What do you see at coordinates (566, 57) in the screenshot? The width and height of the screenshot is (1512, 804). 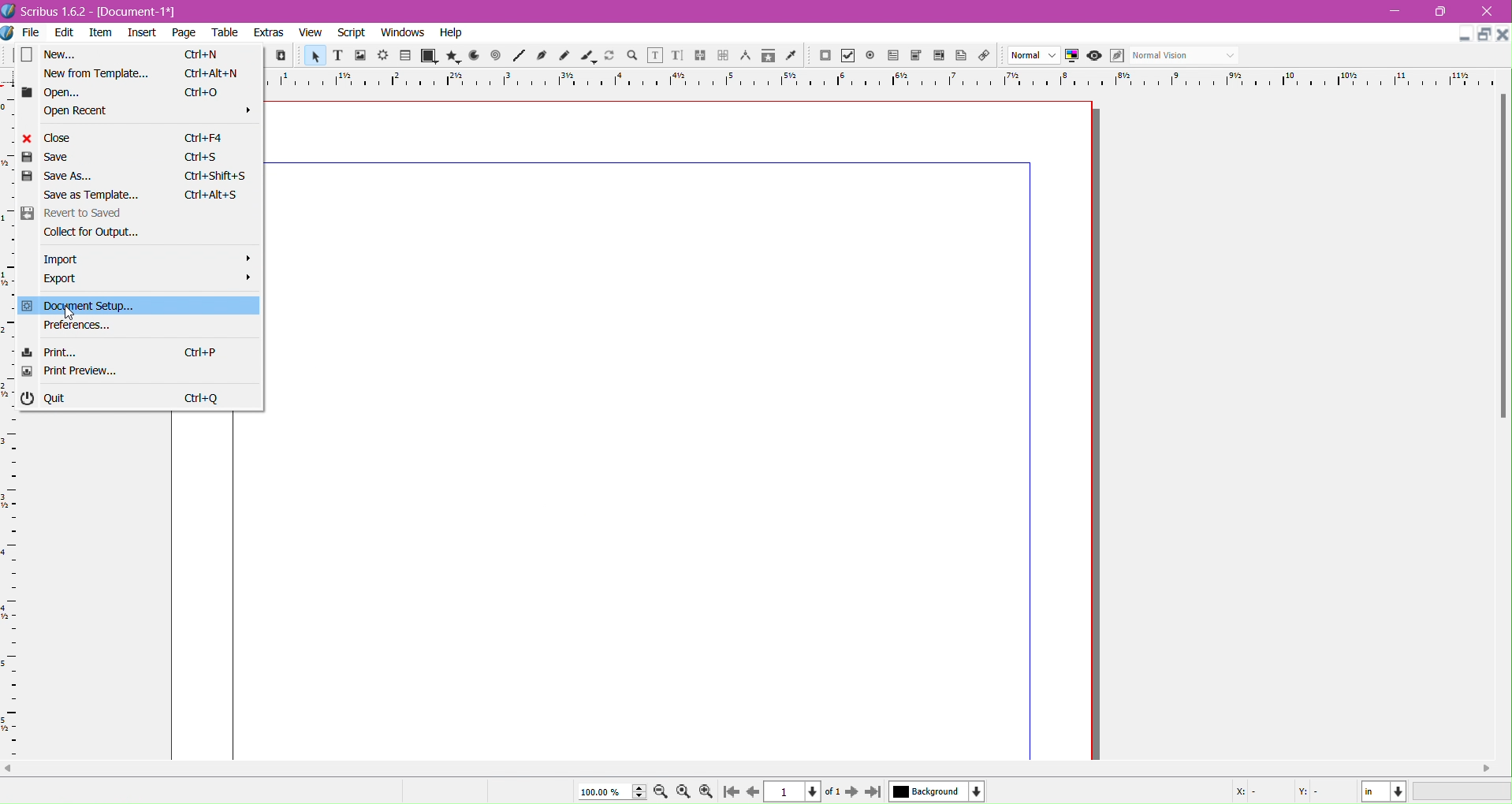 I see `freehand line` at bounding box center [566, 57].